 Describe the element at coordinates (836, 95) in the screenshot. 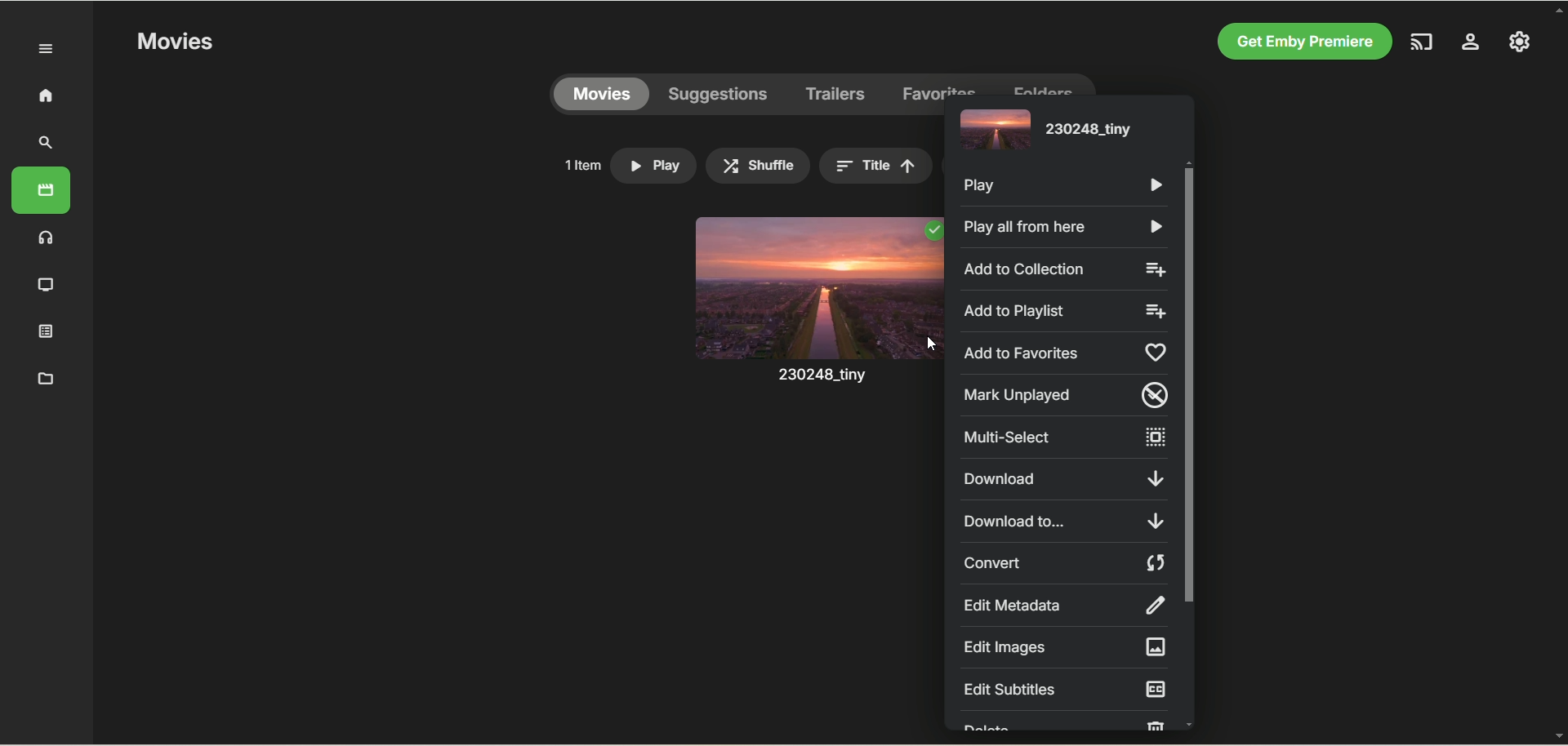

I see `trailers` at that location.